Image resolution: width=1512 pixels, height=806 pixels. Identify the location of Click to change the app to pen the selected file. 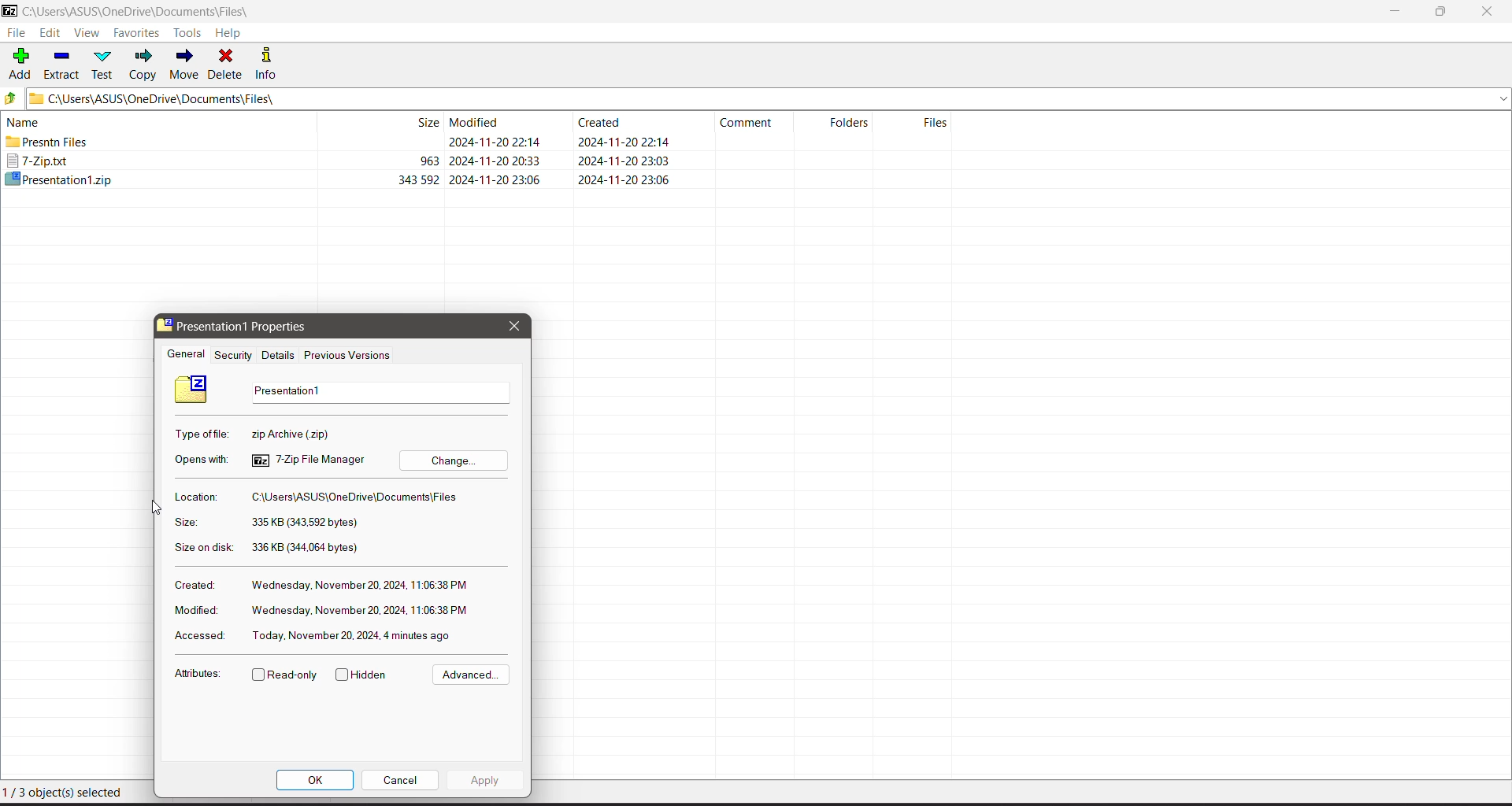
(458, 460).